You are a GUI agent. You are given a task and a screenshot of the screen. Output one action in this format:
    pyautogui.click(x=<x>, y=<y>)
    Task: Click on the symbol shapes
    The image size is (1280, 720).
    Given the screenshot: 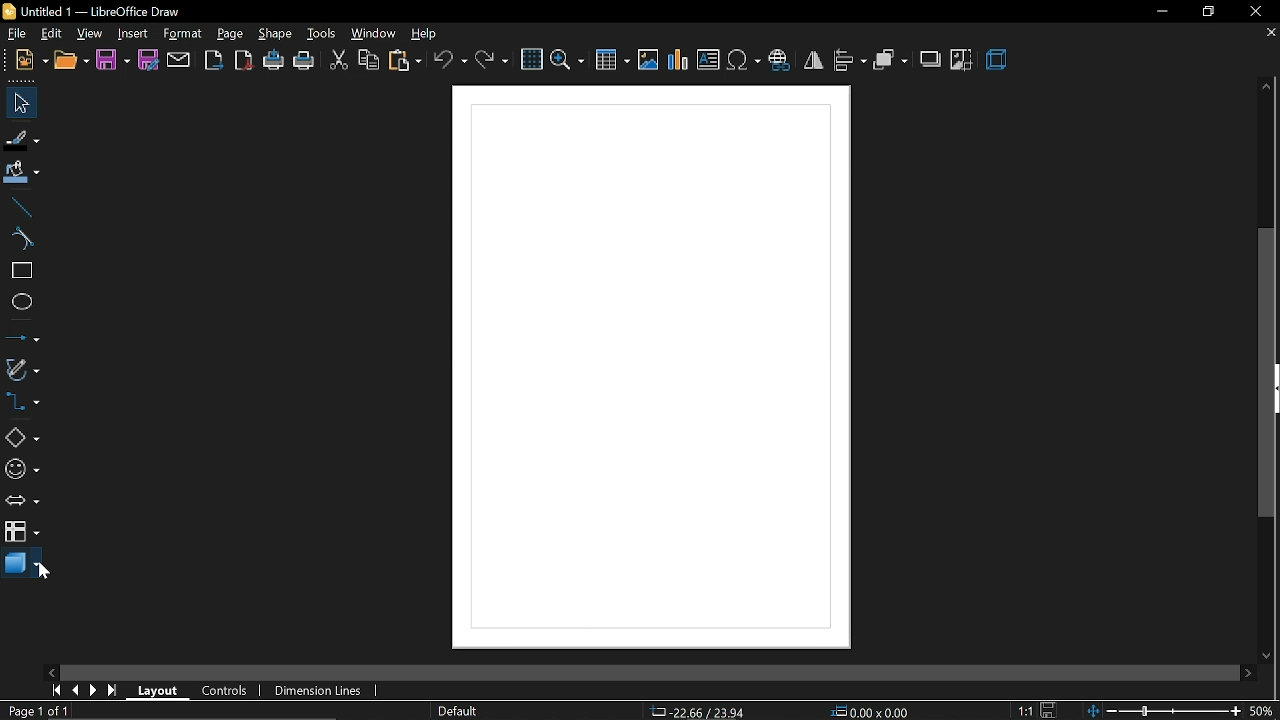 What is the action you would take?
    pyautogui.click(x=21, y=469)
    